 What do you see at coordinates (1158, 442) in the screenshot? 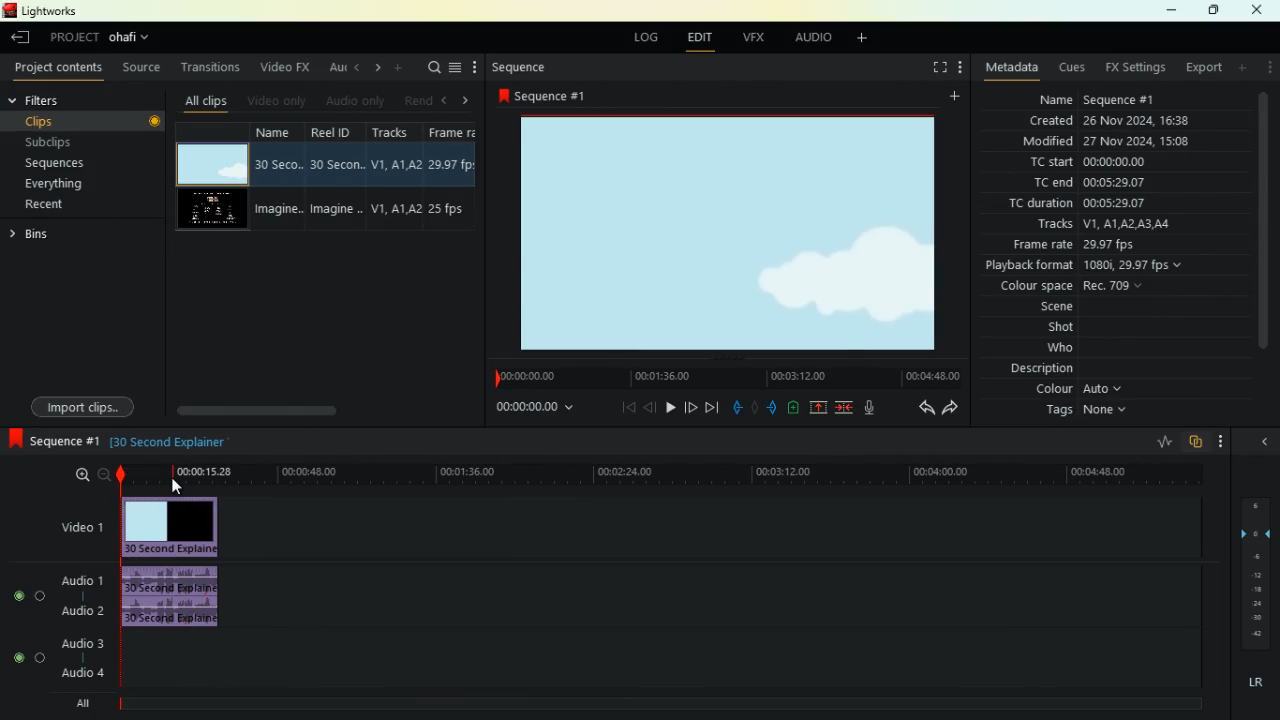
I see `rate` at bounding box center [1158, 442].